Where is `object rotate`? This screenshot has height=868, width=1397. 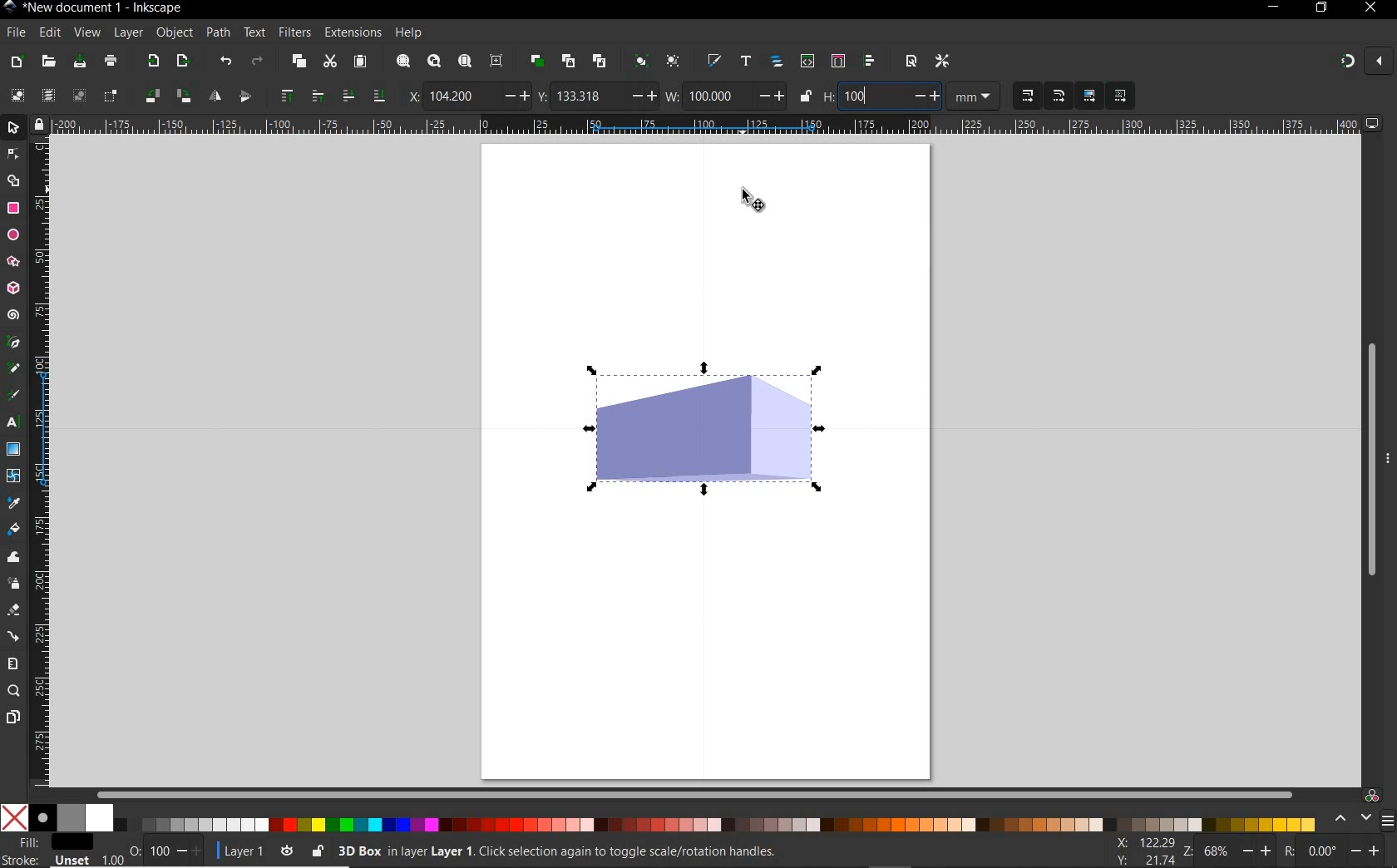 object rotate is located at coordinates (151, 96).